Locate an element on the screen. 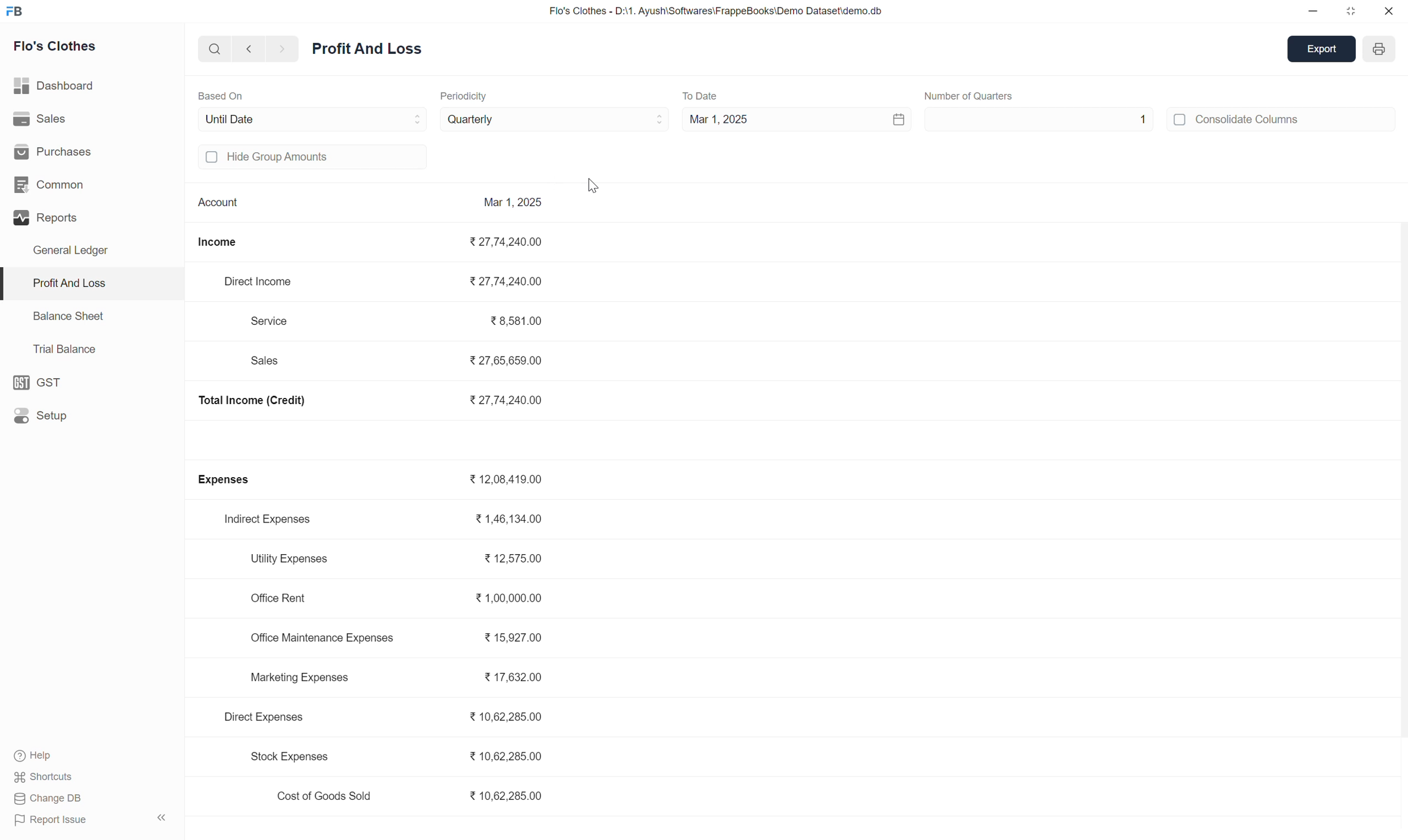 The width and height of the screenshot is (1408, 840). restore down is located at coordinates (1350, 11).